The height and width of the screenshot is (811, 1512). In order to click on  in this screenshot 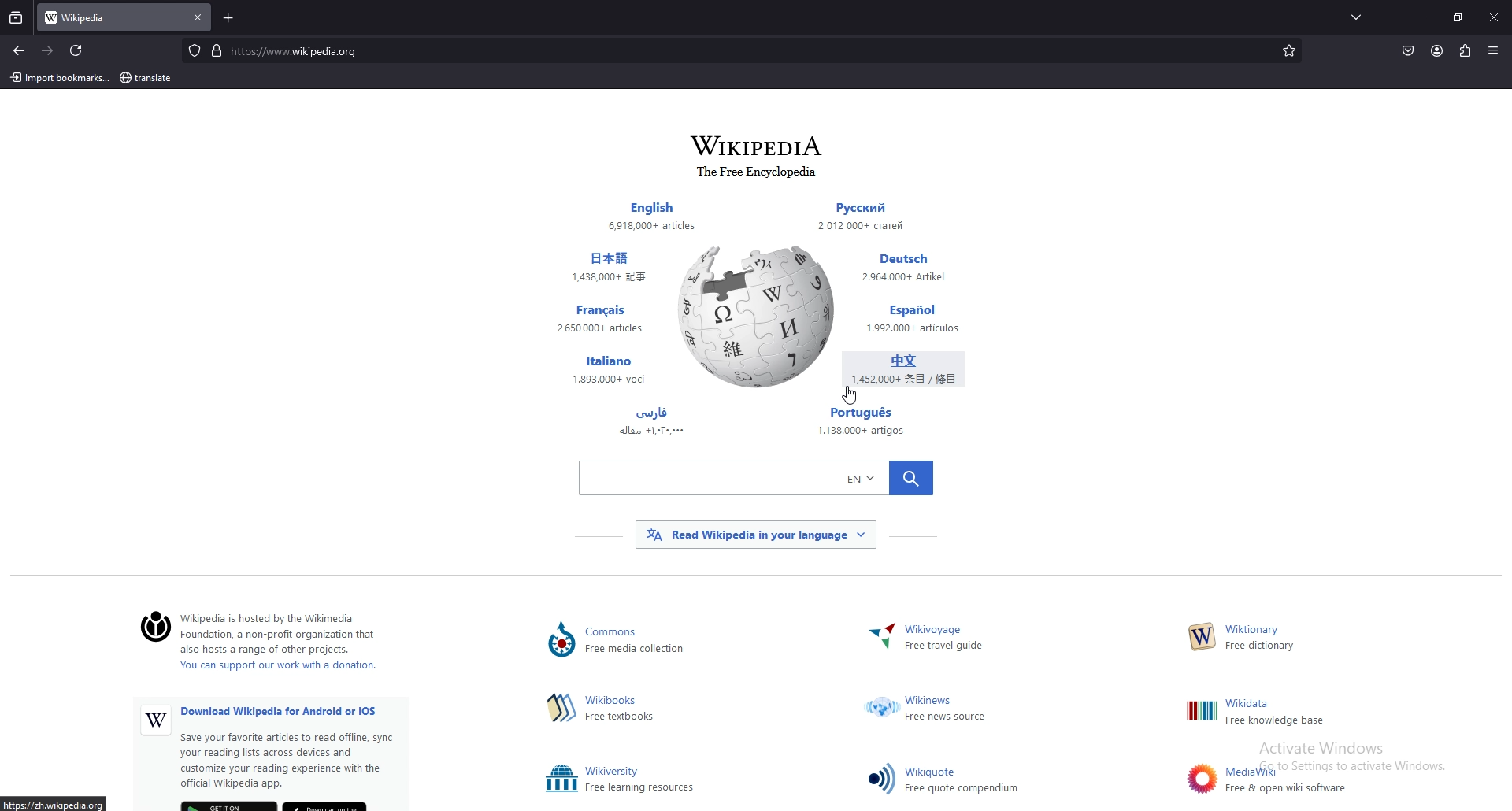, I will do `click(1203, 637)`.